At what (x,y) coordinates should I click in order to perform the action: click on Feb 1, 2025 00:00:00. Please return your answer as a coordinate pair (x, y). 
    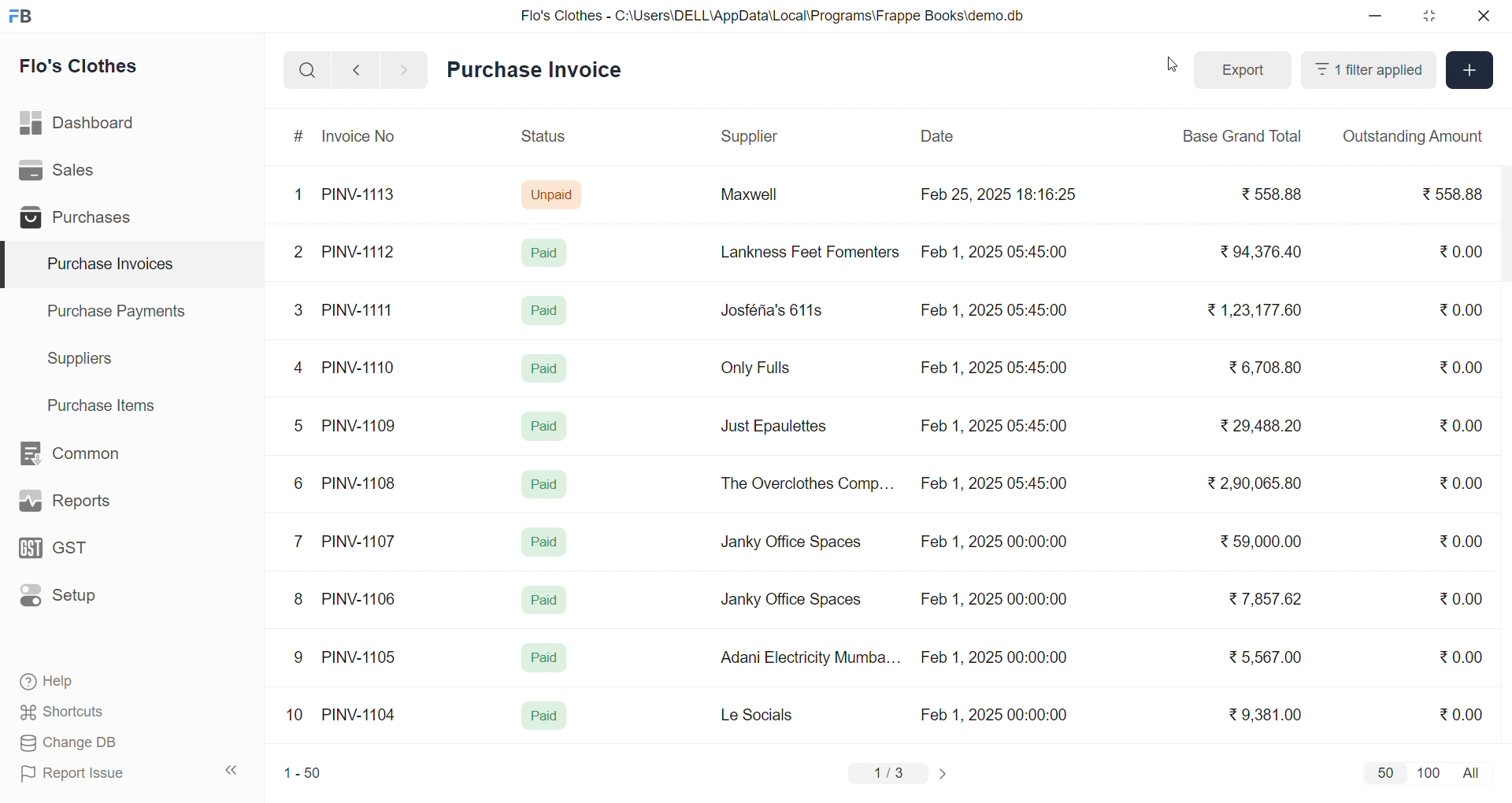
    Looking at the image, I should click on (991, 597).